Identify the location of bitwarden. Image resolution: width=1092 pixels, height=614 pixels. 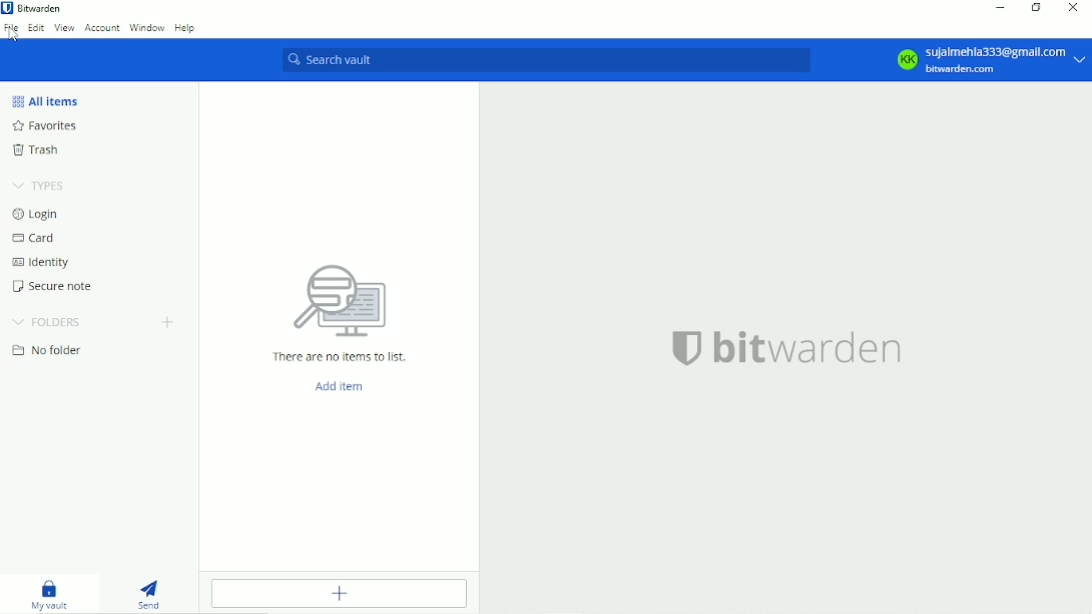
(813, 348).